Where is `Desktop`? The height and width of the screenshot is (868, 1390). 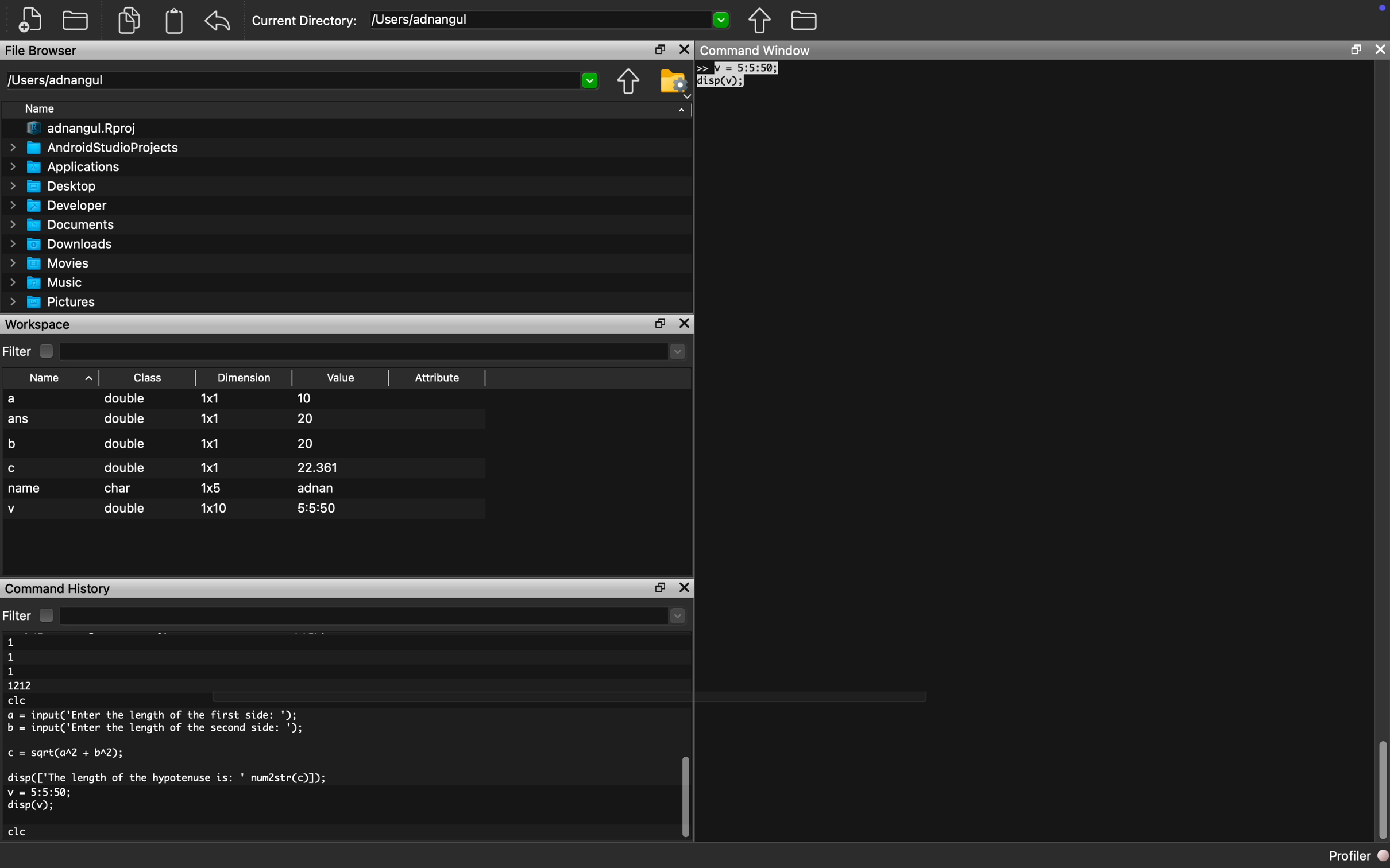 Desktop is located at coordinates (52, 187).